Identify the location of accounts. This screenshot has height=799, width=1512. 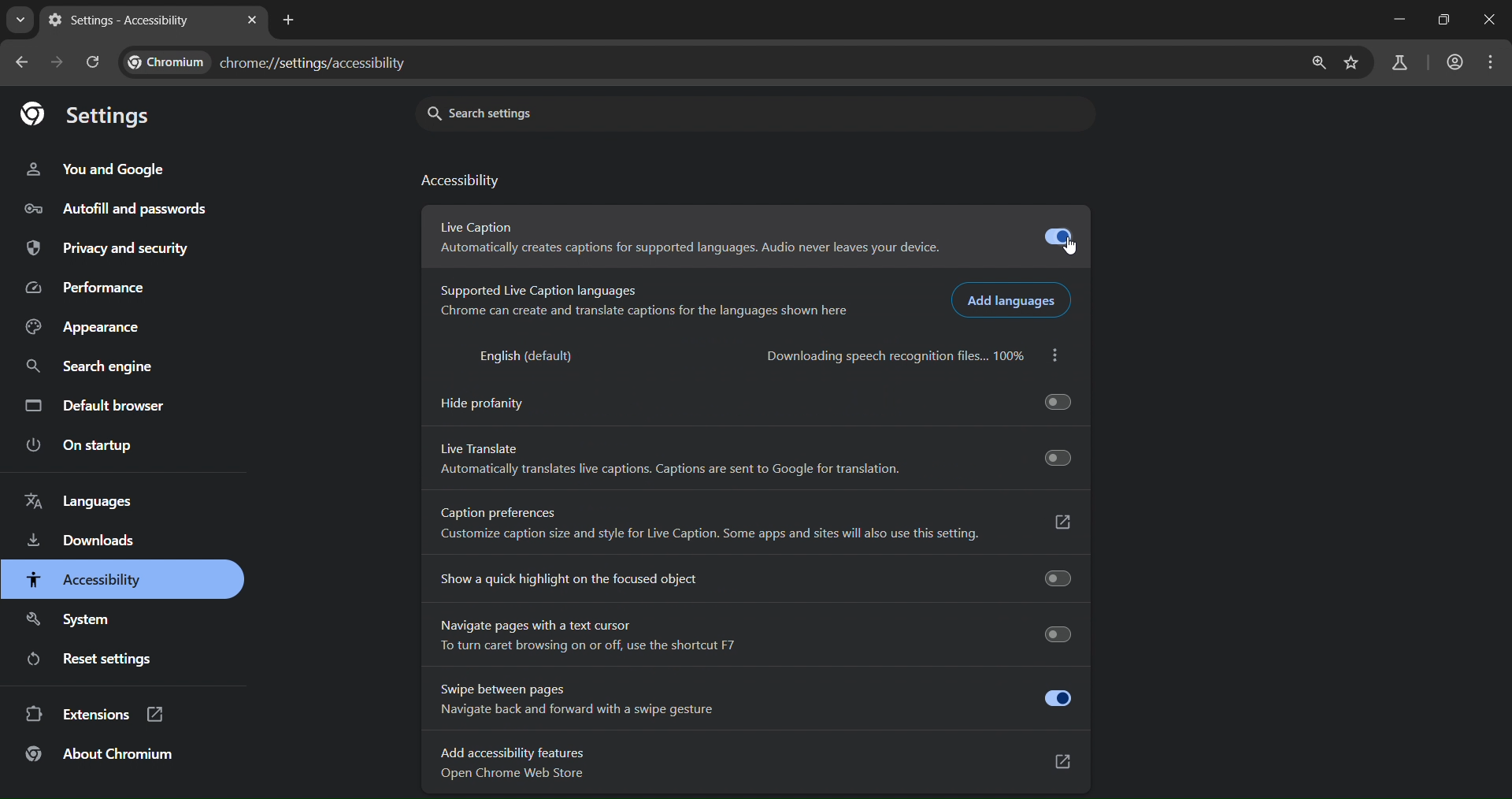
(1456, 63).